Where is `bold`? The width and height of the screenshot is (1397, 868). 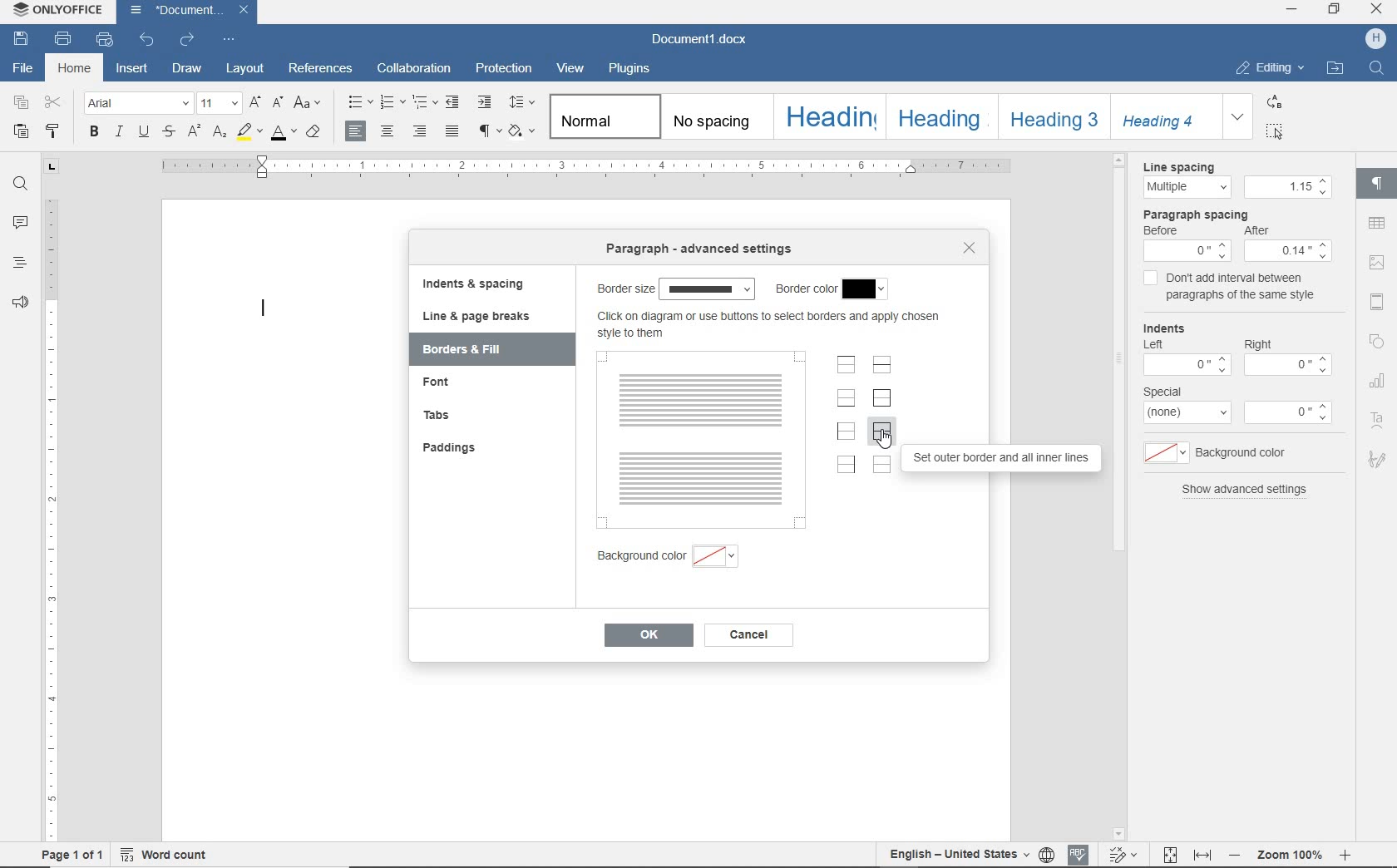 bold is located at coordinates (94, 134).